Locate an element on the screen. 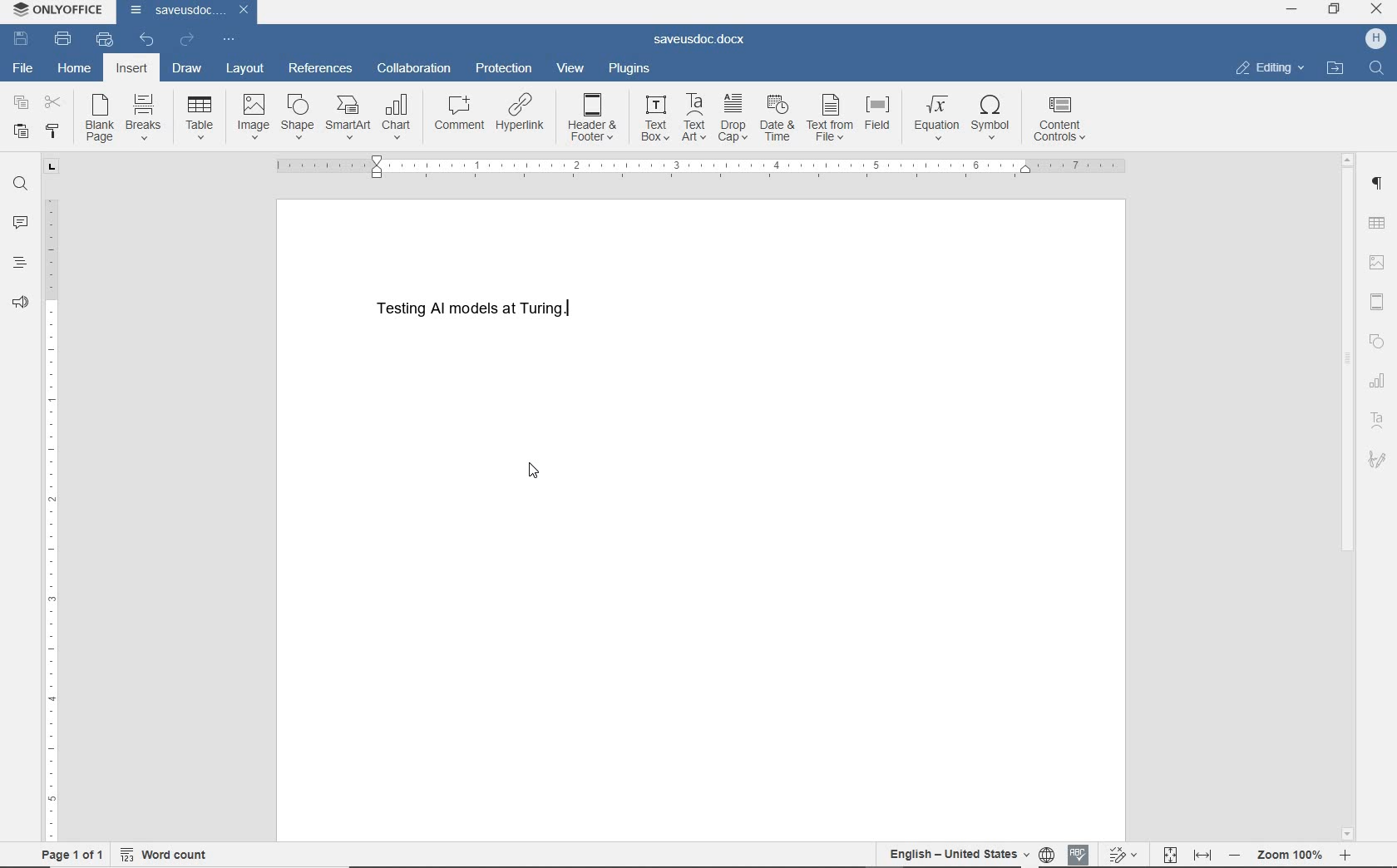 The width and height of the screenshot is (1397, 868). paragraph settings is located at coordinates (1379, 184).